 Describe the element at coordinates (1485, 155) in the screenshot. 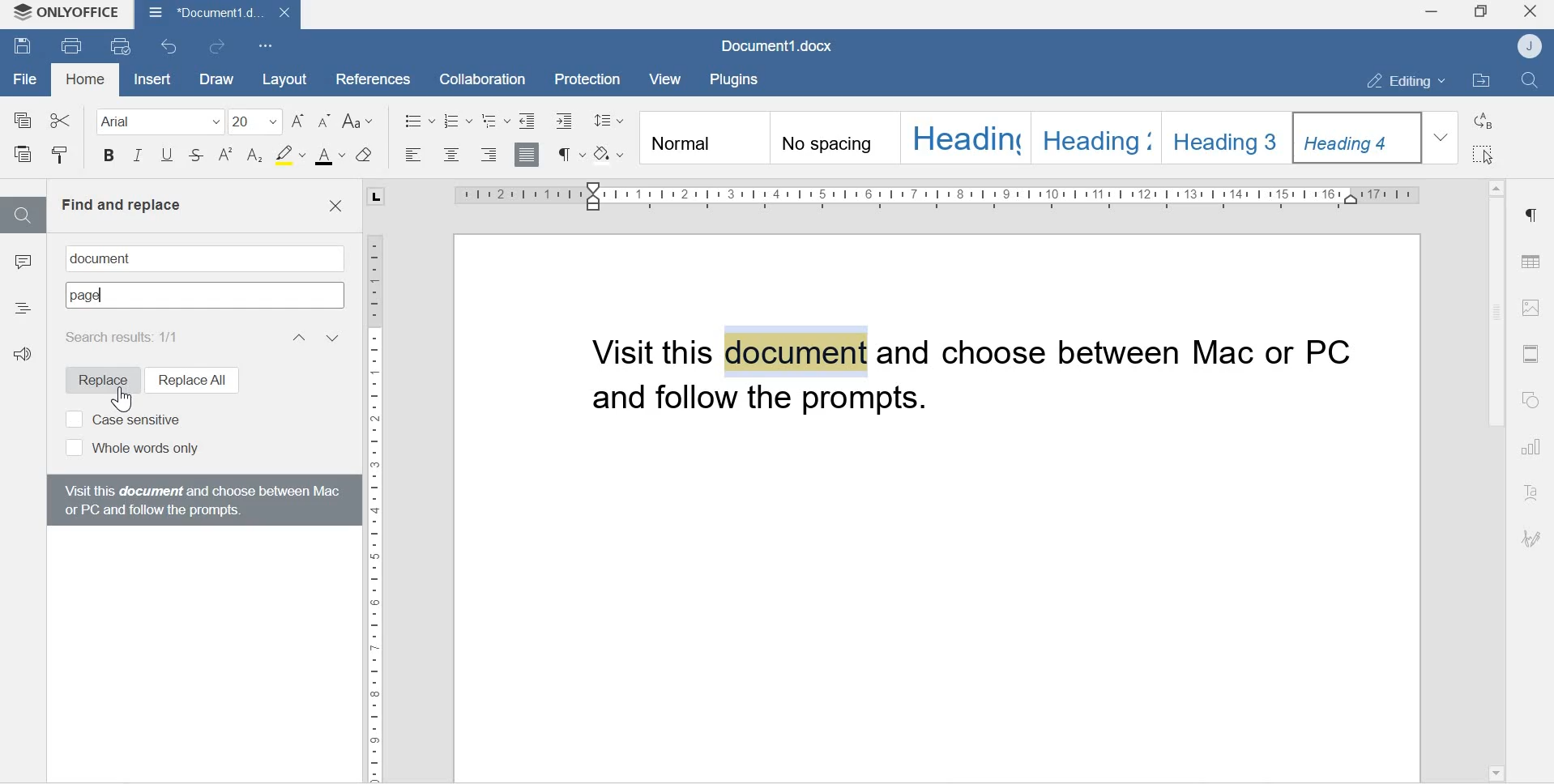

I see `Select all` at that location.